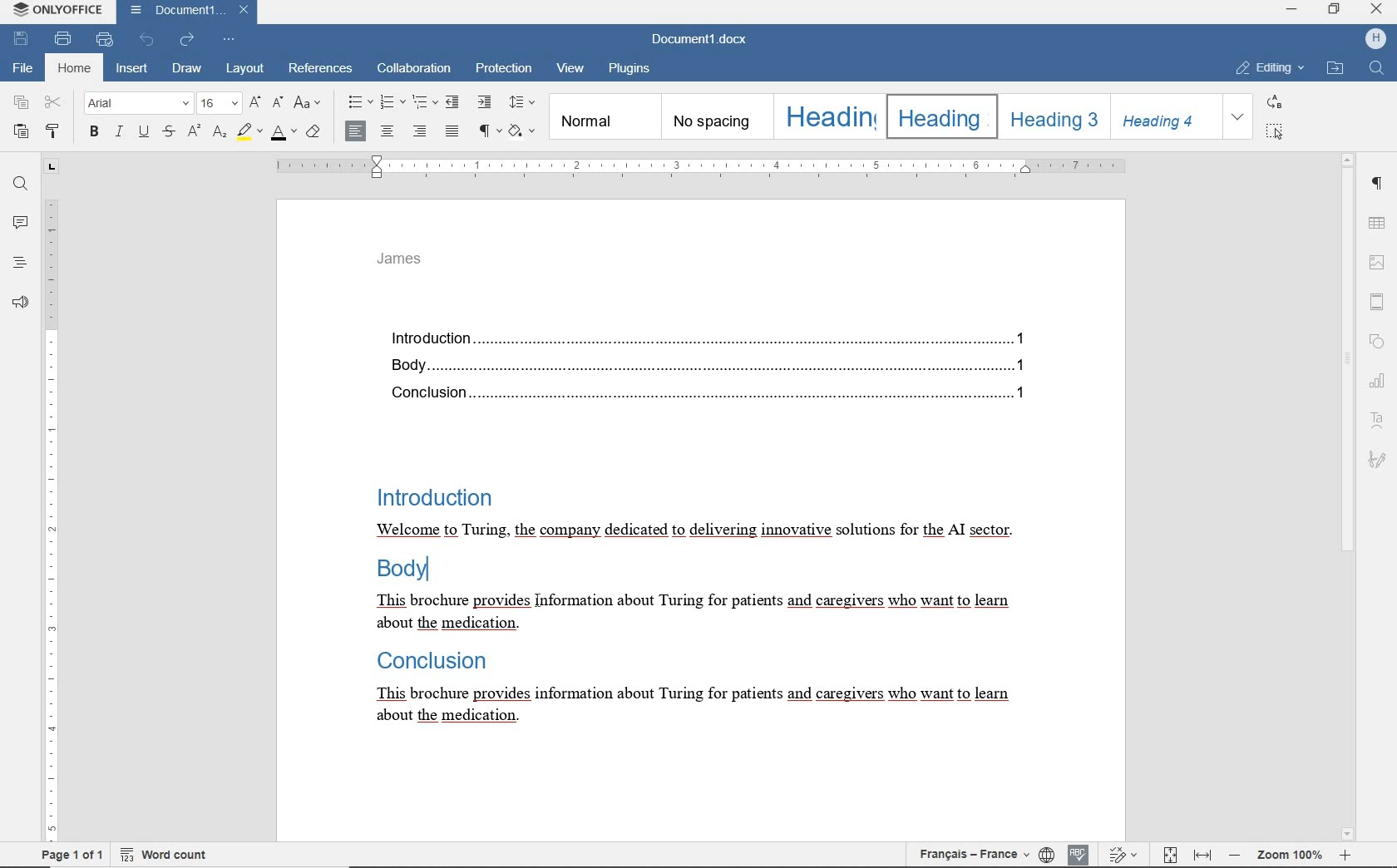  What do you see at coordinates (1370, 67) in the screenshot?
I see `FIND` at bounding box center [1370, 67].